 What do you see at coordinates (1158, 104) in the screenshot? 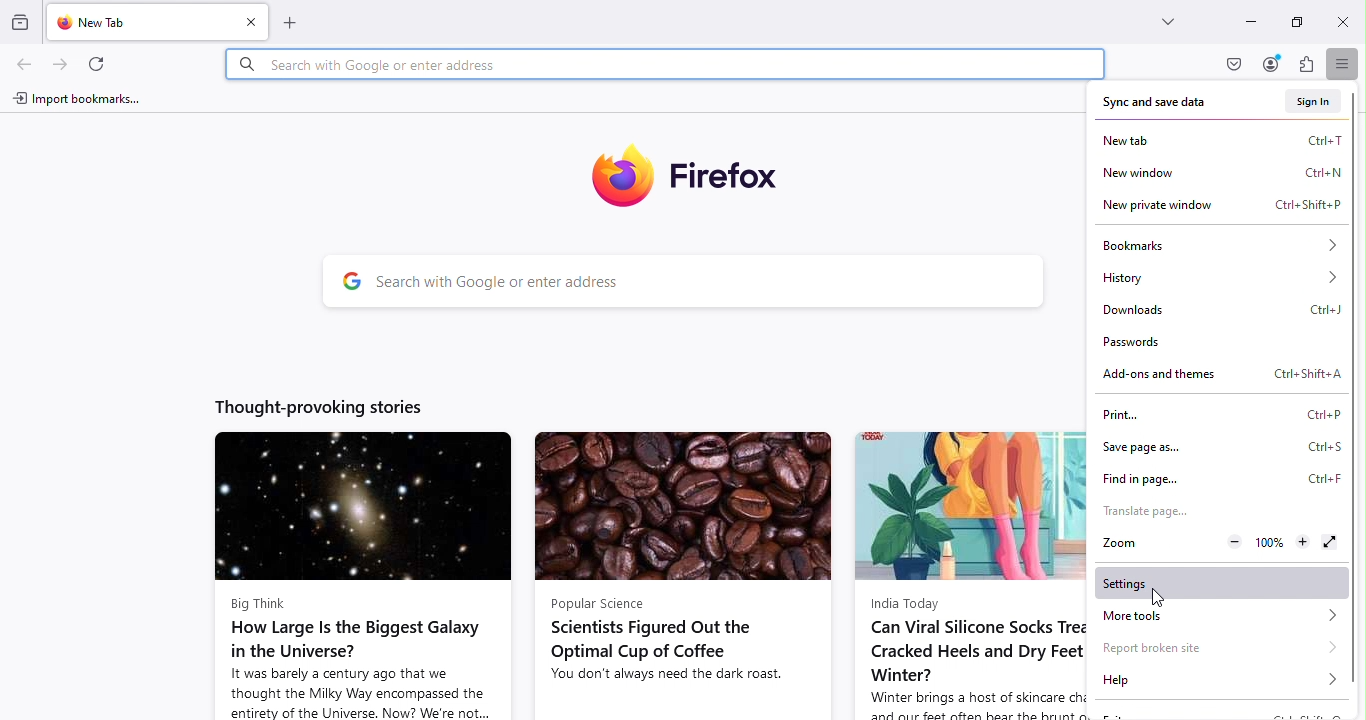
I see `Sync and save data` at bounding box center [1158, 104].